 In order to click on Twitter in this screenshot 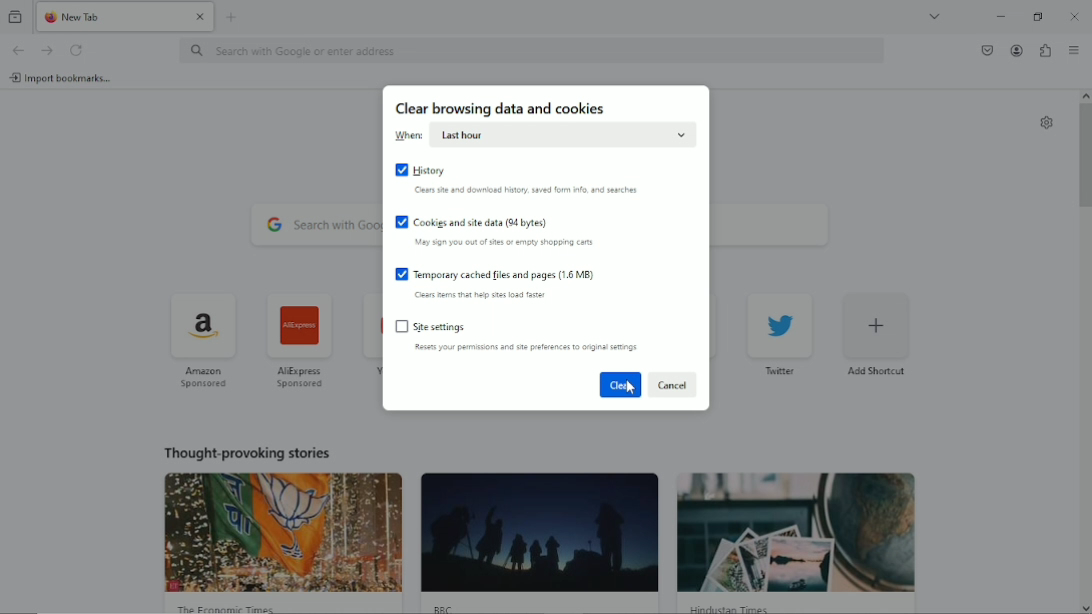, I will do `click(782, 332)`.